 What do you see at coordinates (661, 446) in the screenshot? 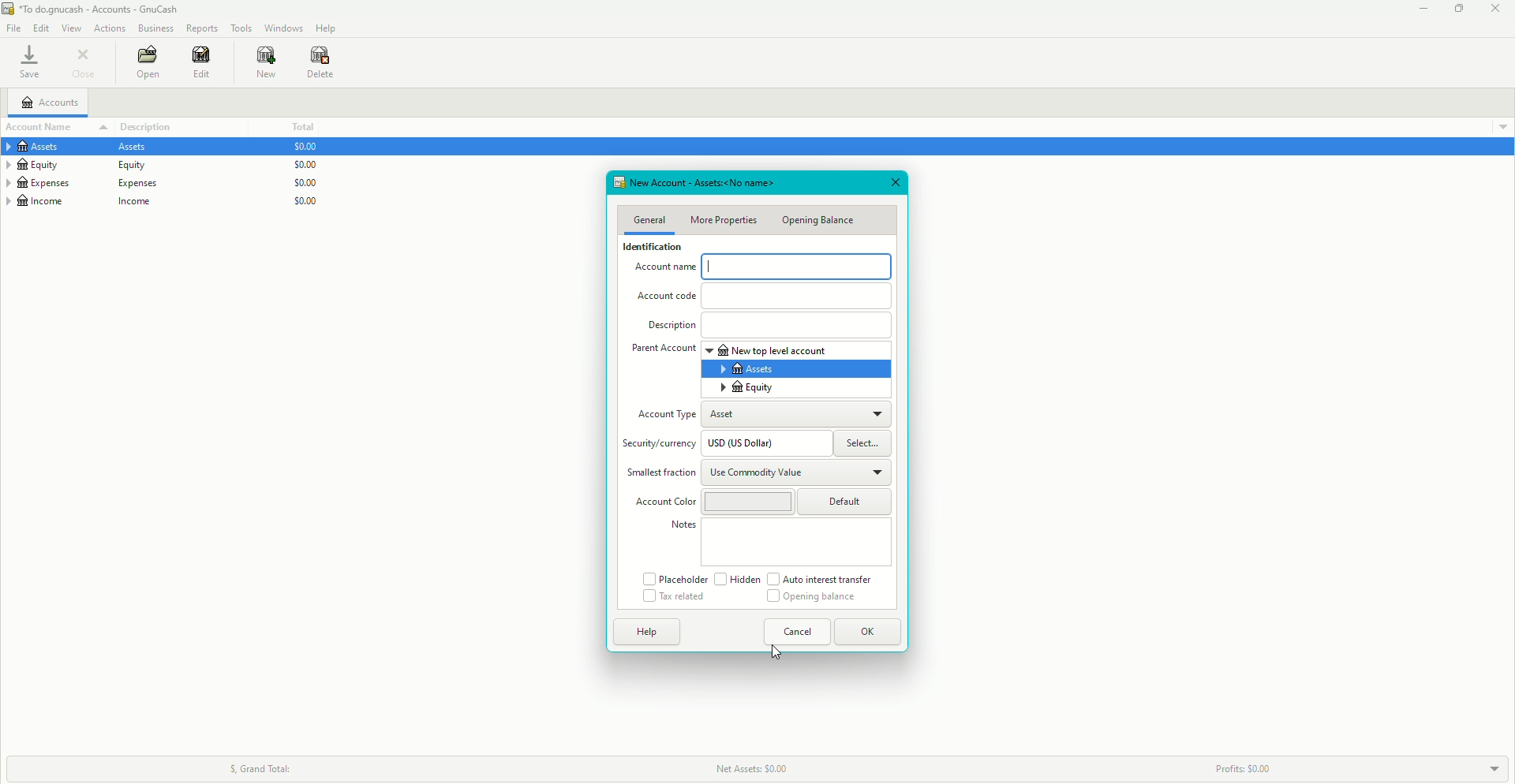
I see `Security/currency` at bounding box center [661, 446].